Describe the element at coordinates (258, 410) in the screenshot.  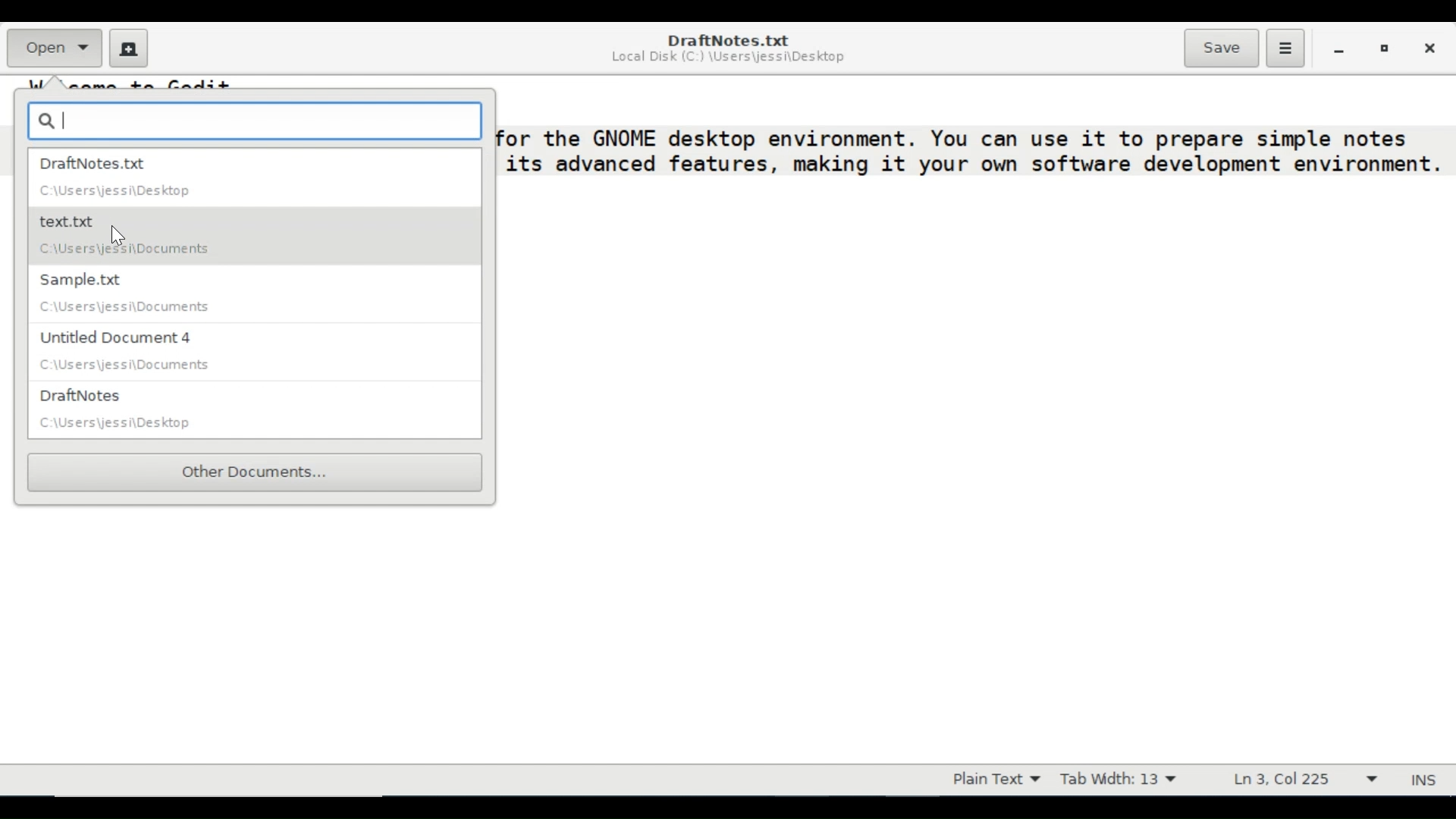
I see `DraftNotes` at that location.